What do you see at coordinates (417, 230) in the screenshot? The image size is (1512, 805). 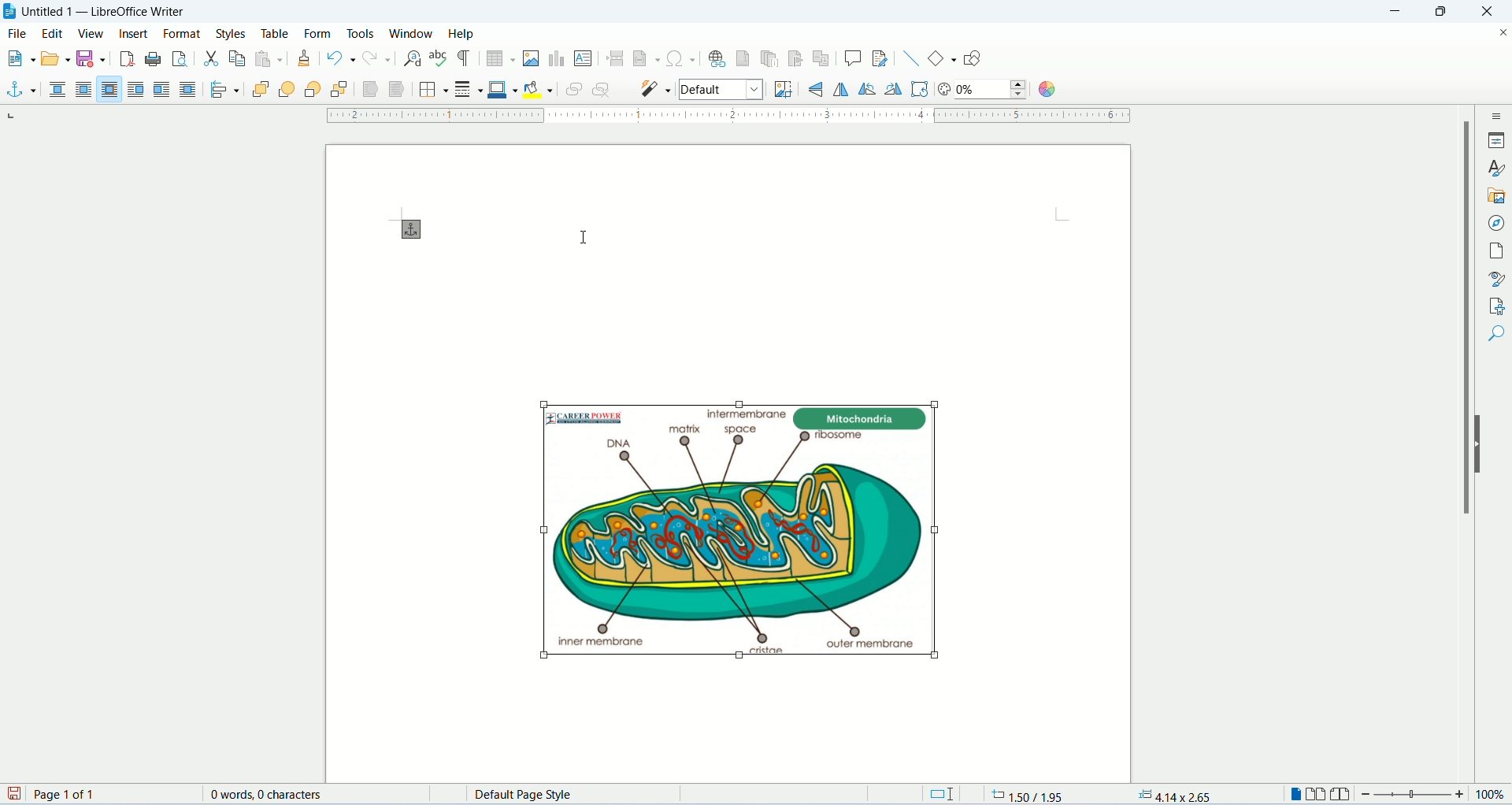 I see `anchor` at bounding box center [417, 230].